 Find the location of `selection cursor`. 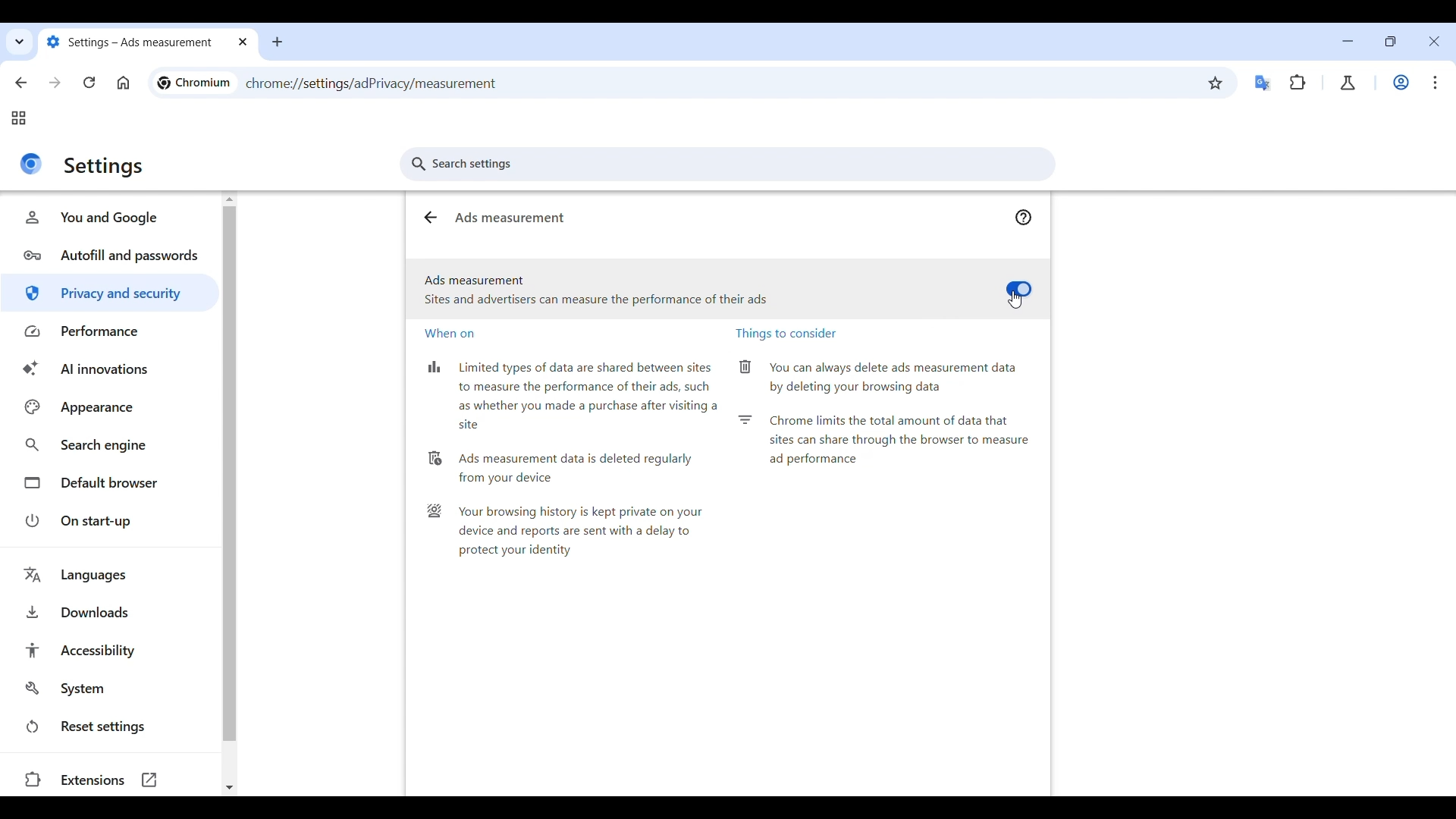

selection cursor is located at coordinates (1016, 300).